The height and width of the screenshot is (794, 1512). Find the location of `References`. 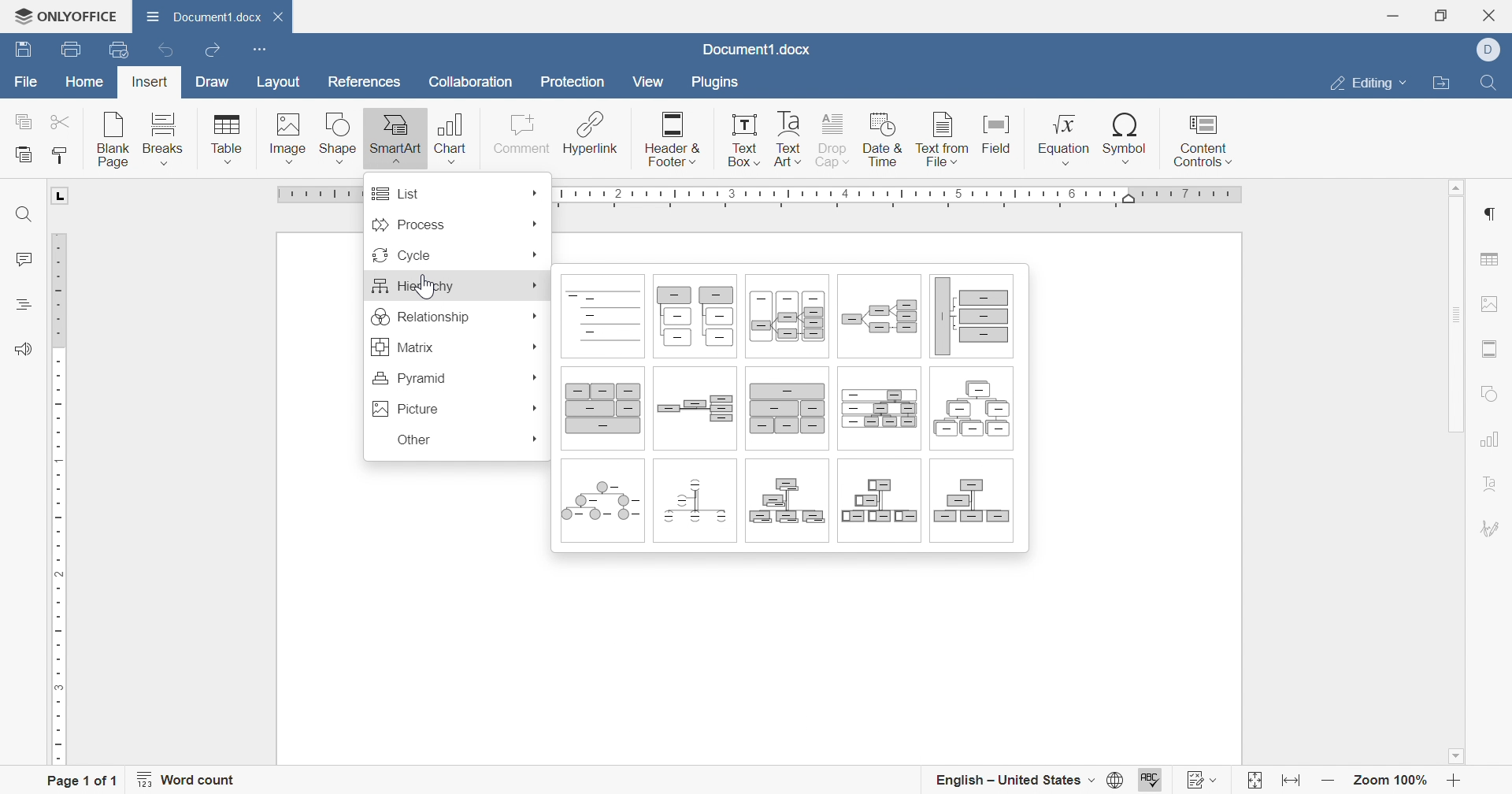

References is located at coordinates (362, 83).